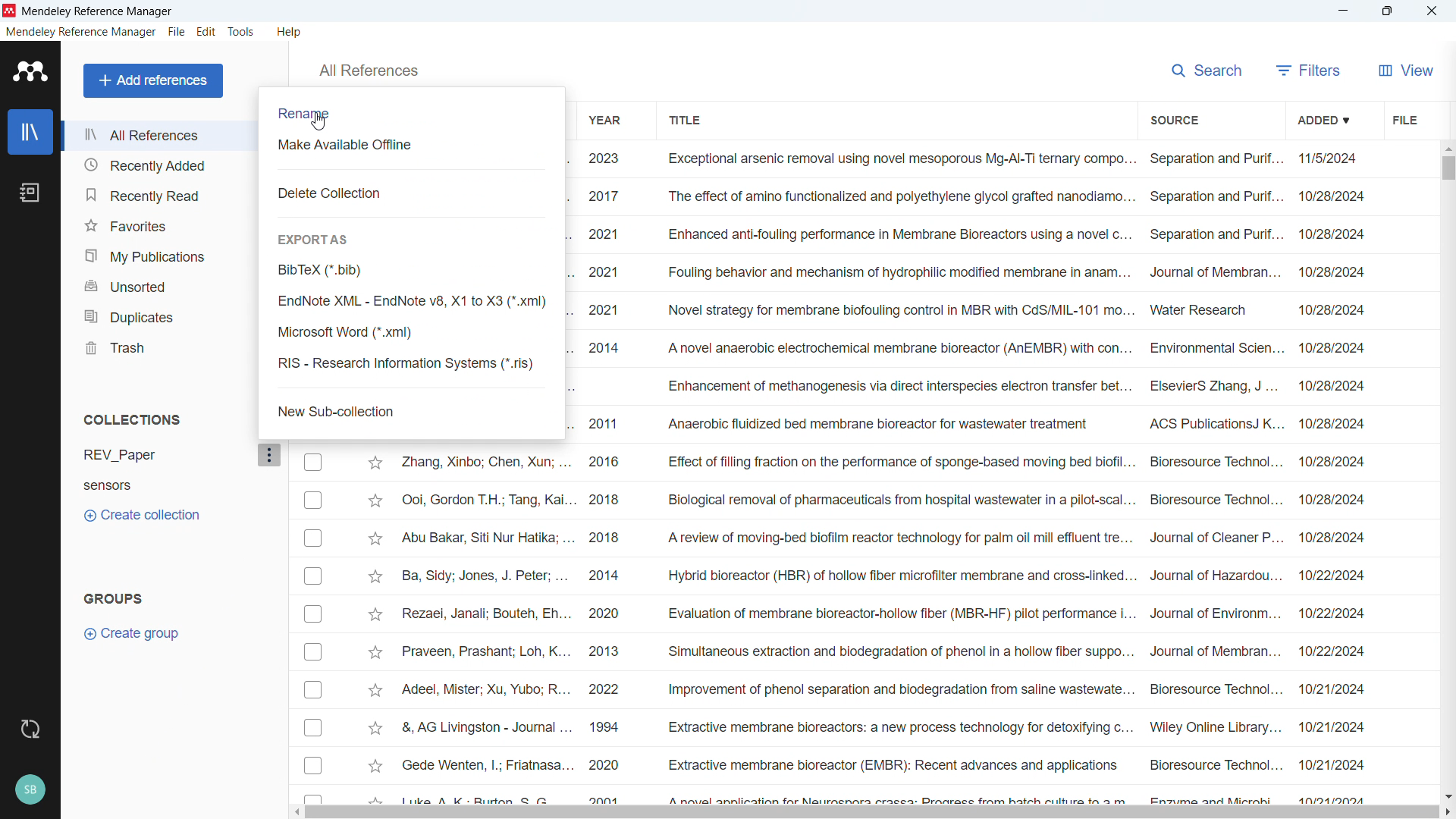 The width and height of the screenshot is (1456, 819). I want to click on Select respective publication, so click(313, 614).